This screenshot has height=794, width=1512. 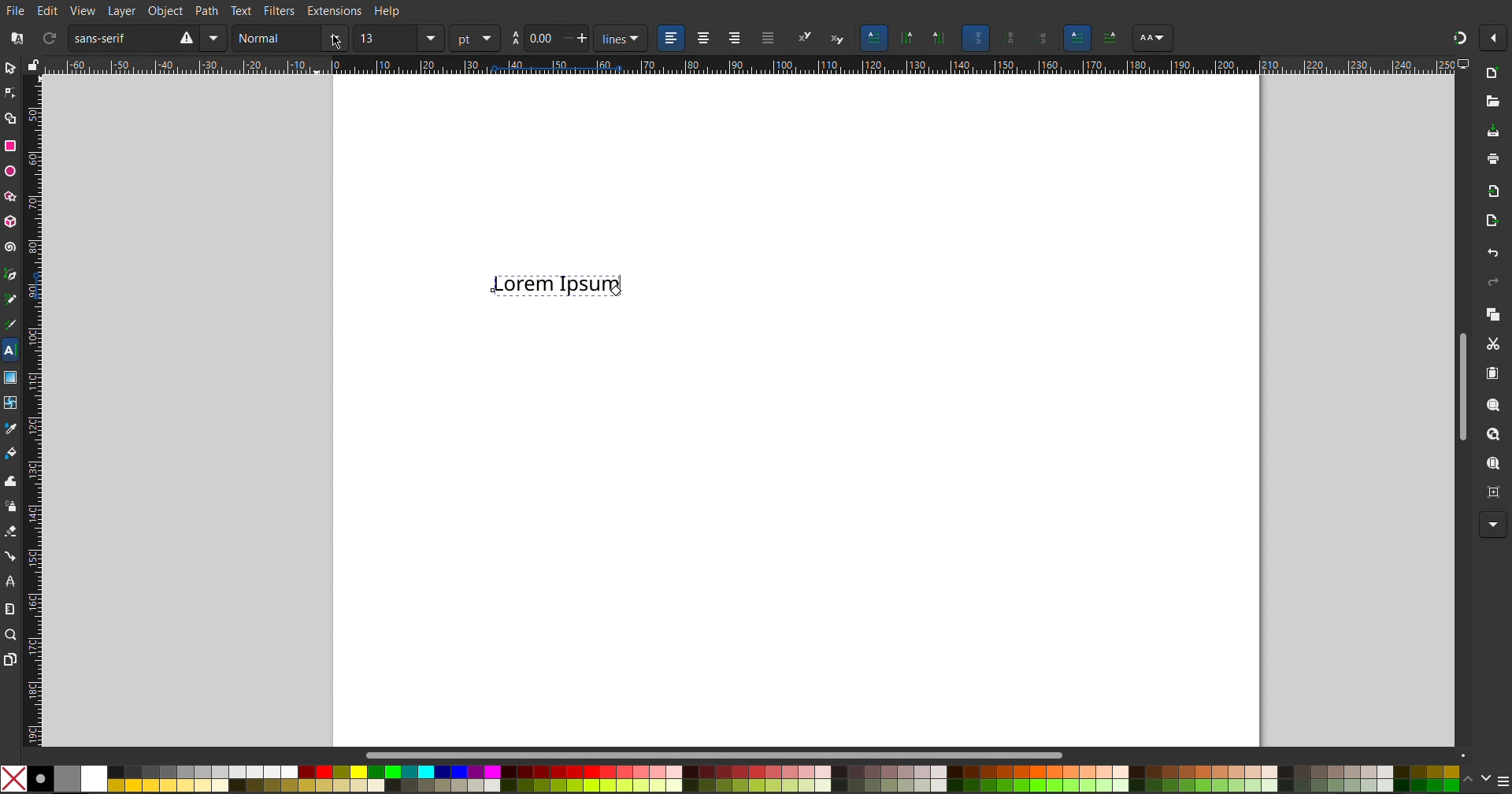 I want to click on New, so click(x=1492, y=74).